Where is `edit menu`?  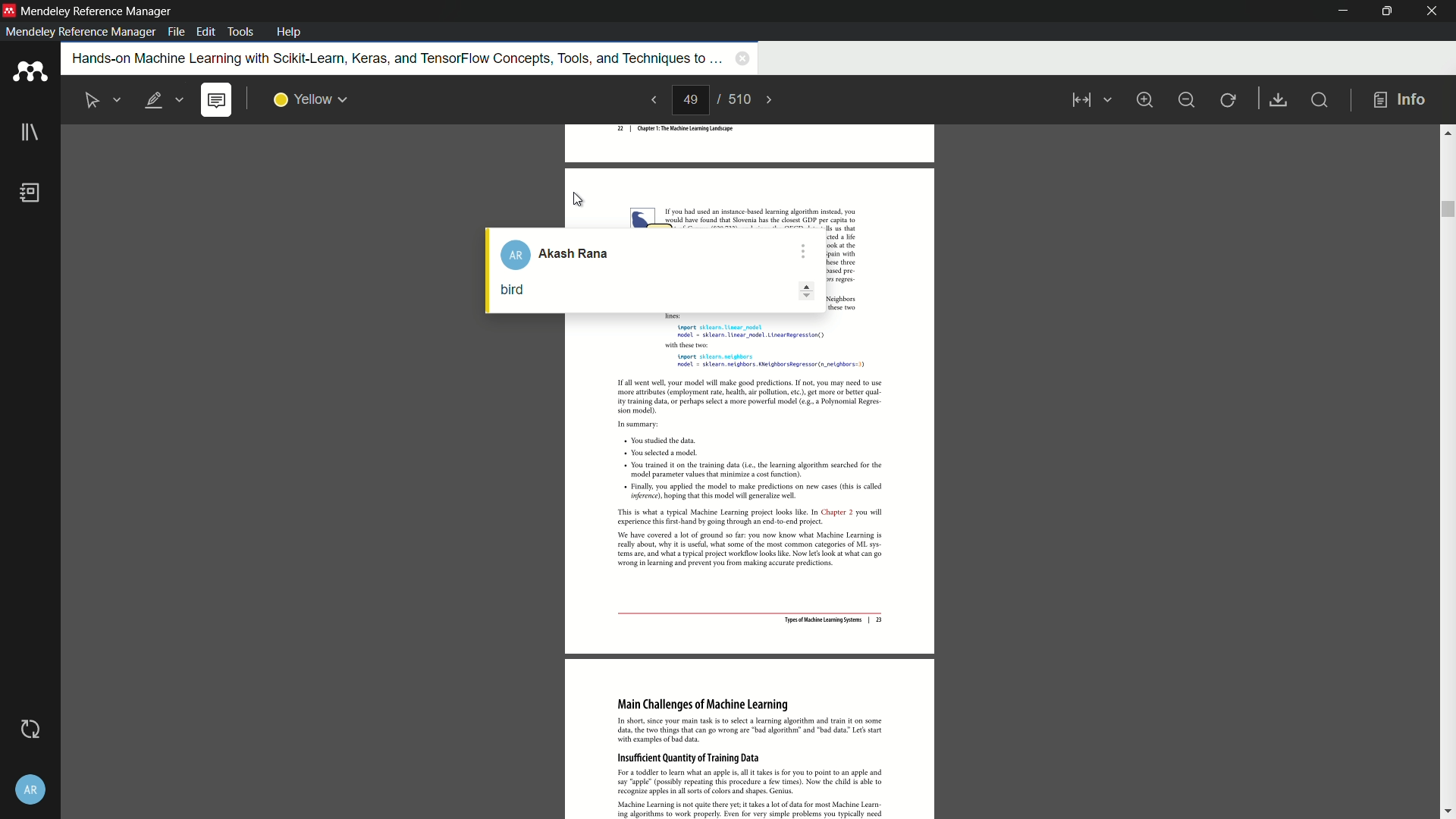
edit menu is located at coordinates (206, 33).